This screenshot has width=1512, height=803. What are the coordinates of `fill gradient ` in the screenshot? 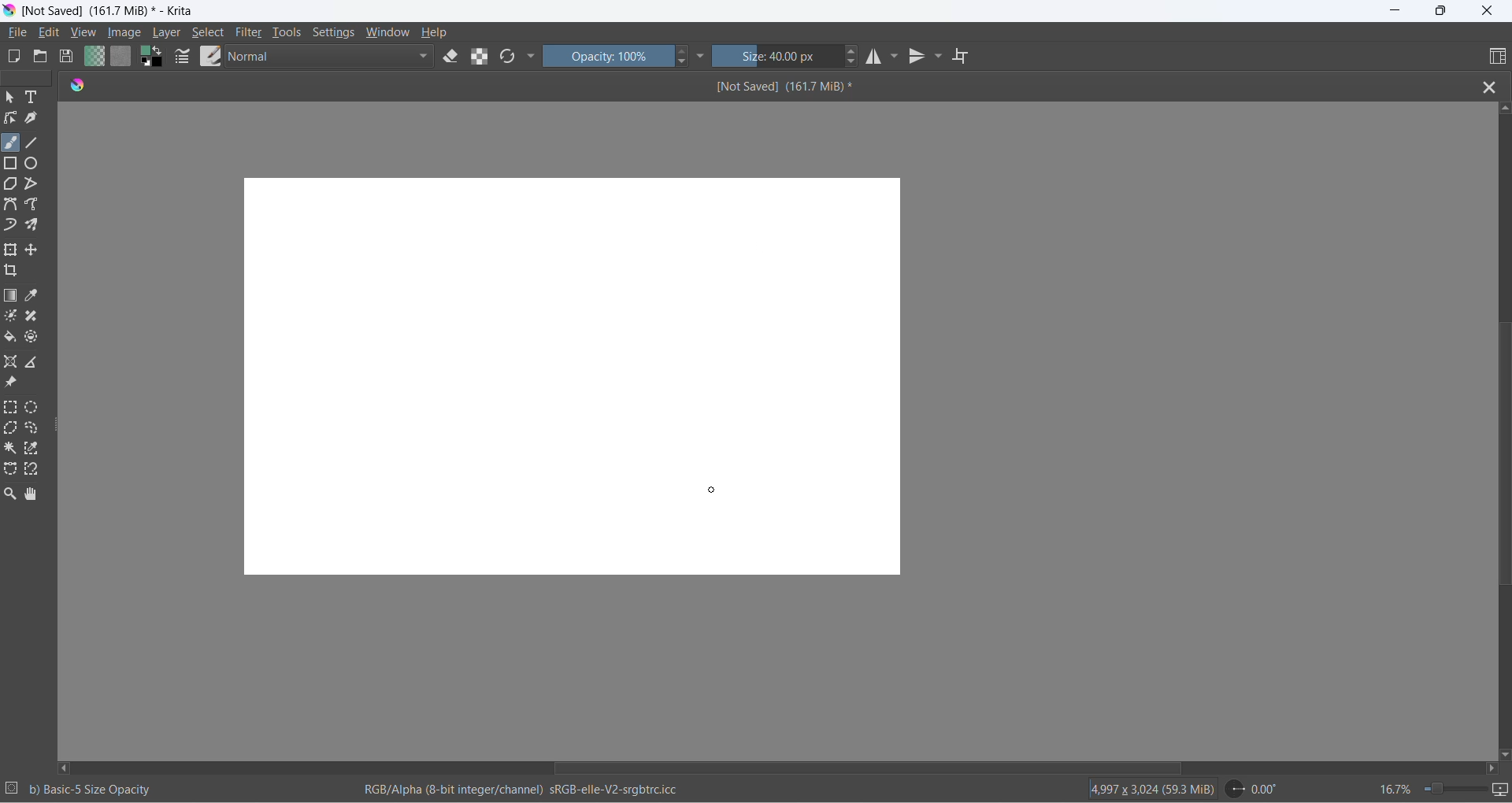 It's located at (92, 58).